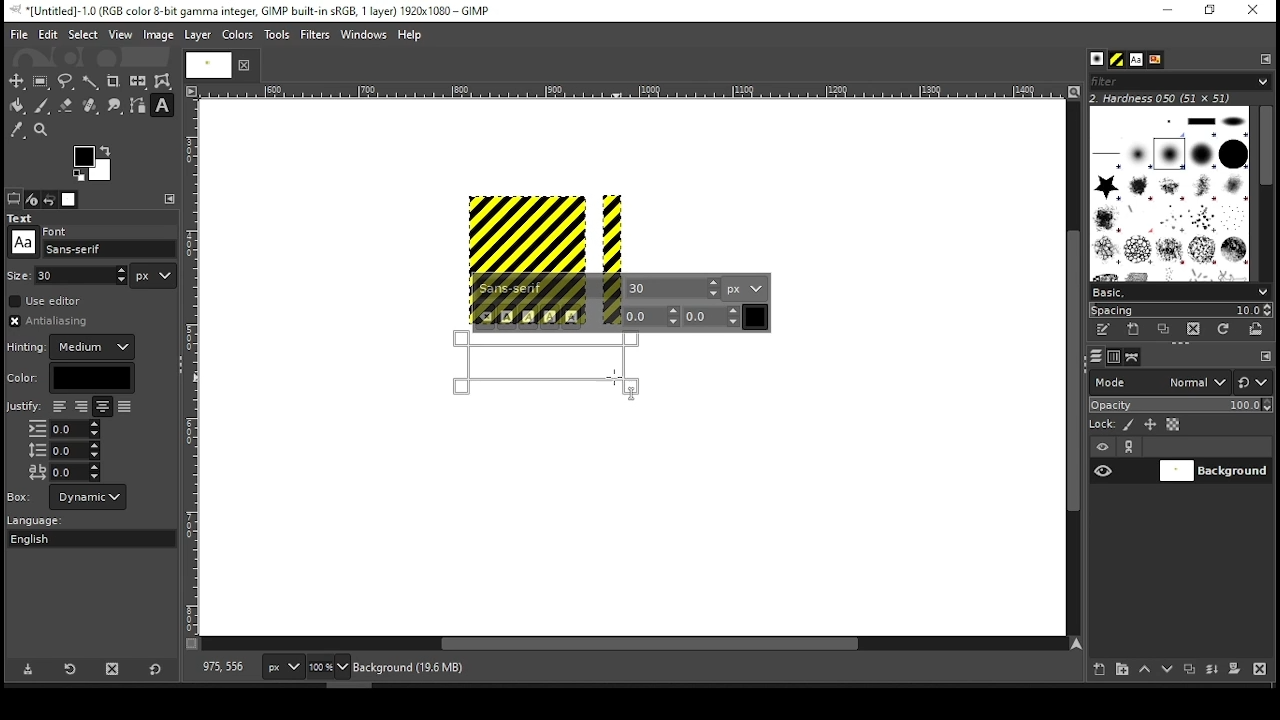 The width and height of the screenshot is (1280, 720). Describe the element at coordinates (1180, 310) in the screenshot. I see `spacing` at that location.